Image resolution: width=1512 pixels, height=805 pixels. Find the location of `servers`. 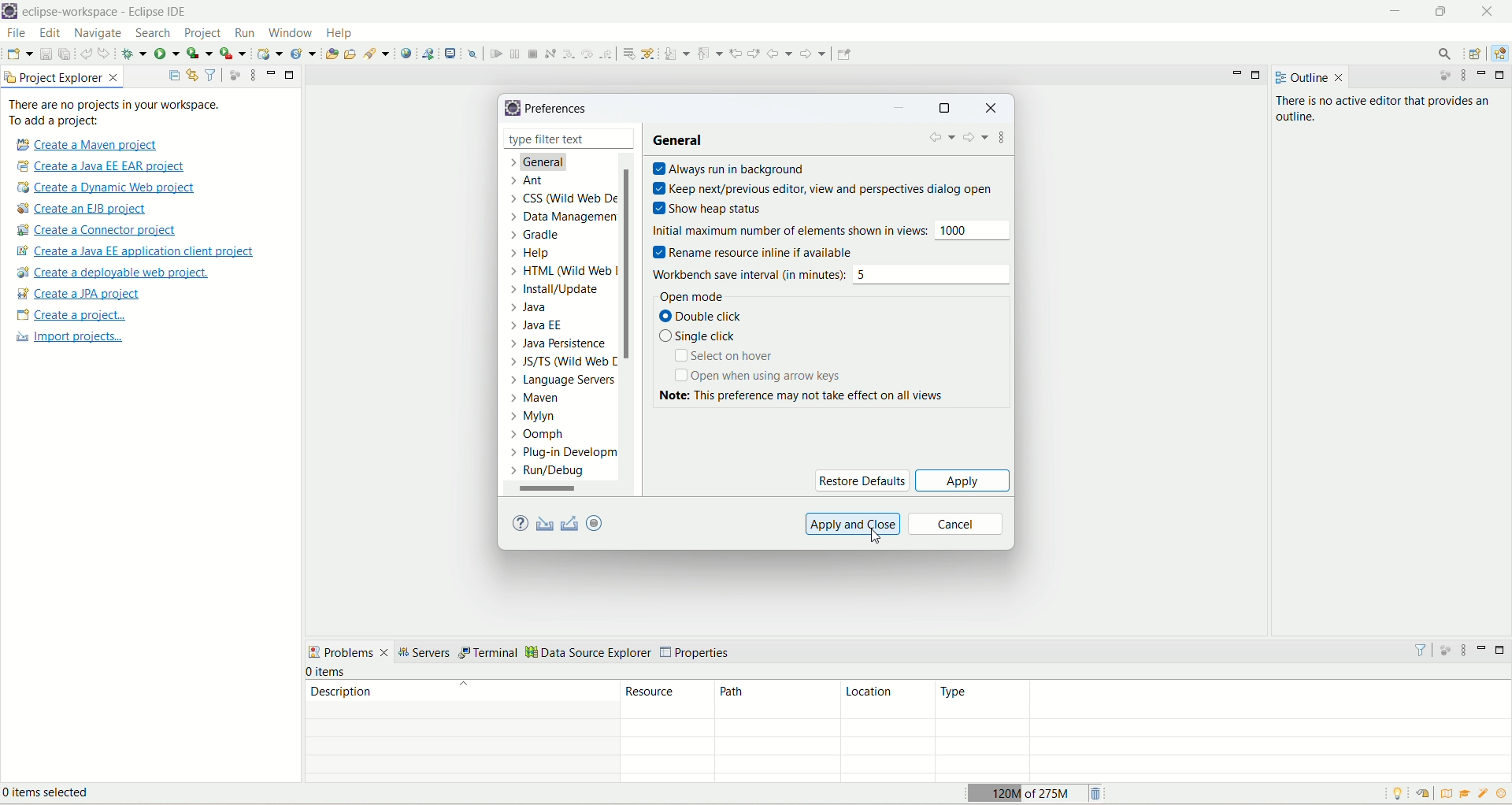

servers is located at coordinates (427, 653).